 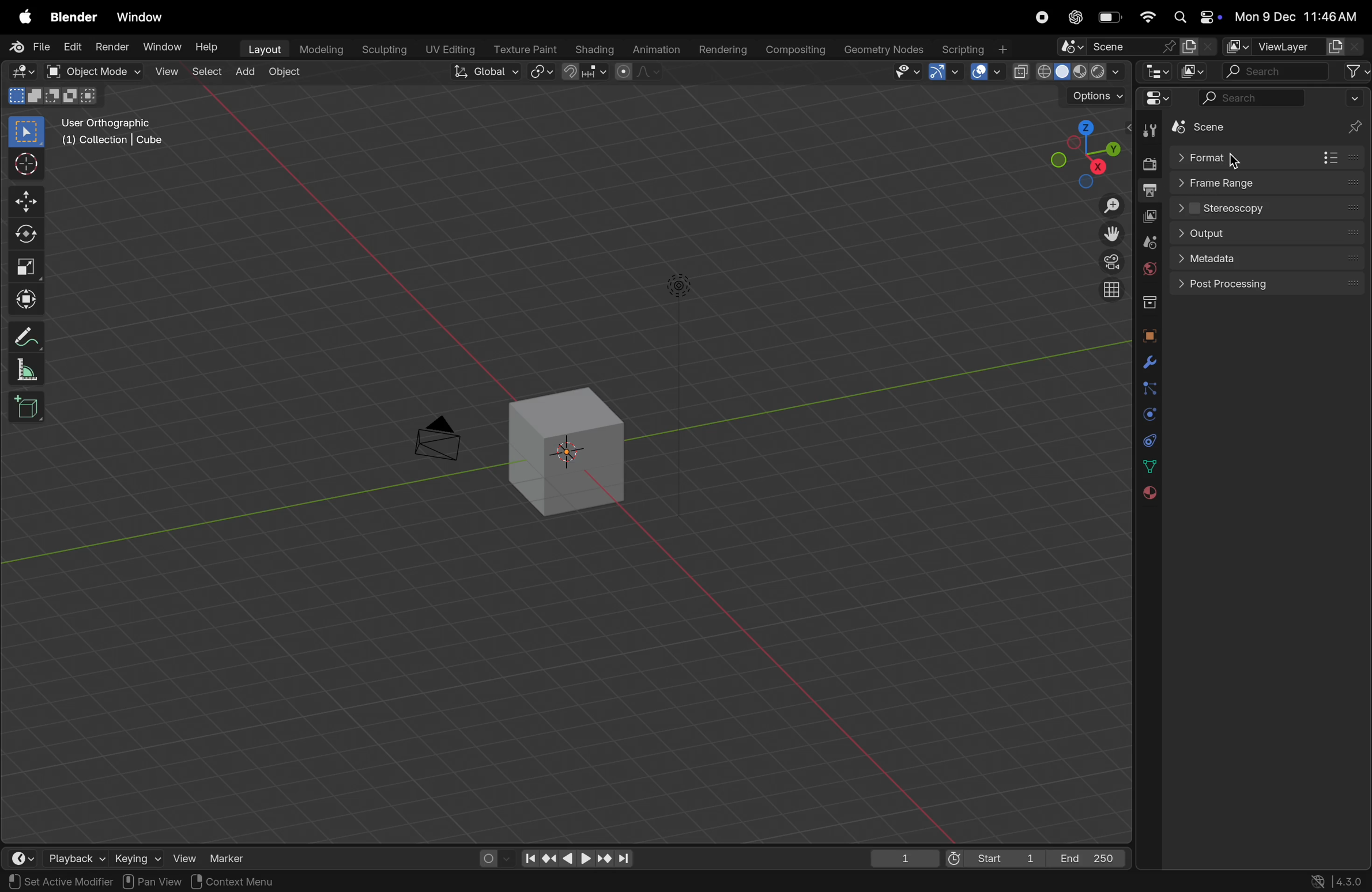 I want to click on Animation, so click(x=656, y=49).